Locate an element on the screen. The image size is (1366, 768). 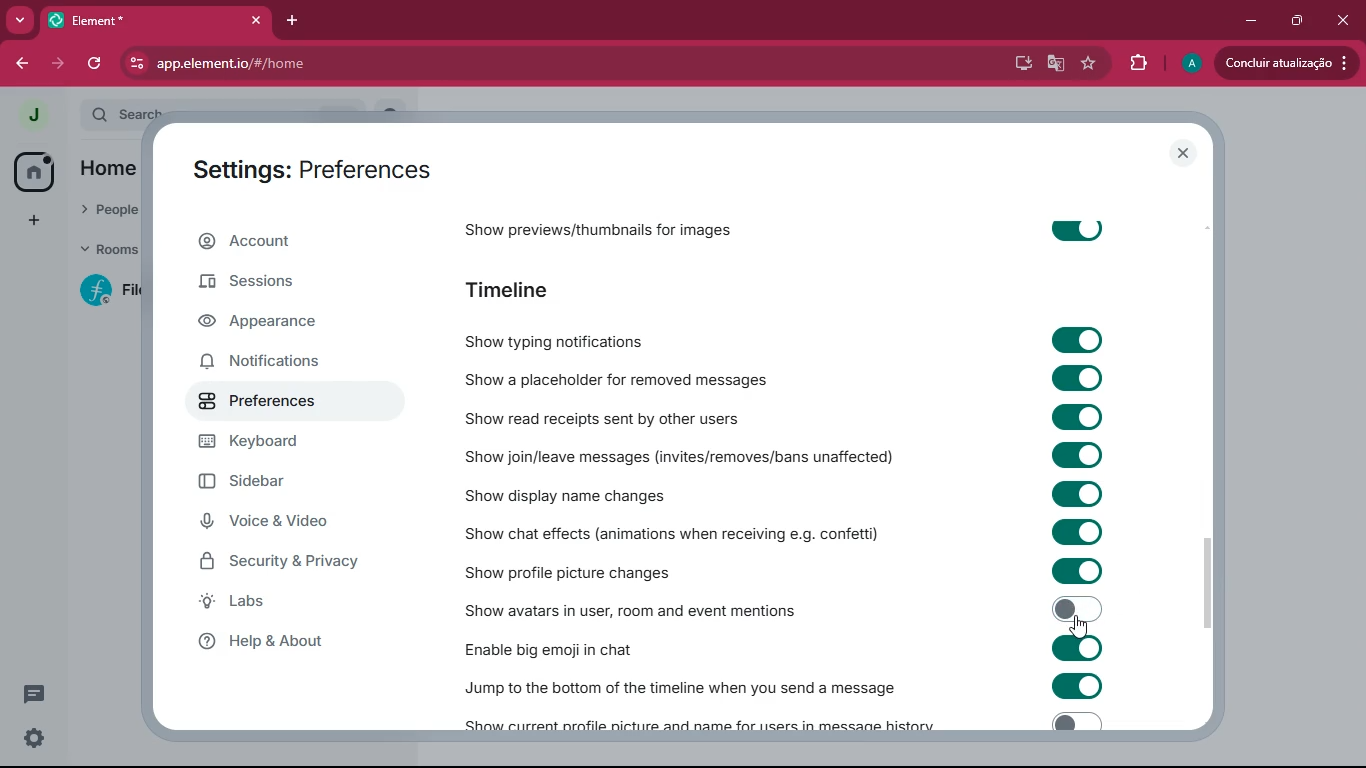
people is located at coordinates (107, 206).